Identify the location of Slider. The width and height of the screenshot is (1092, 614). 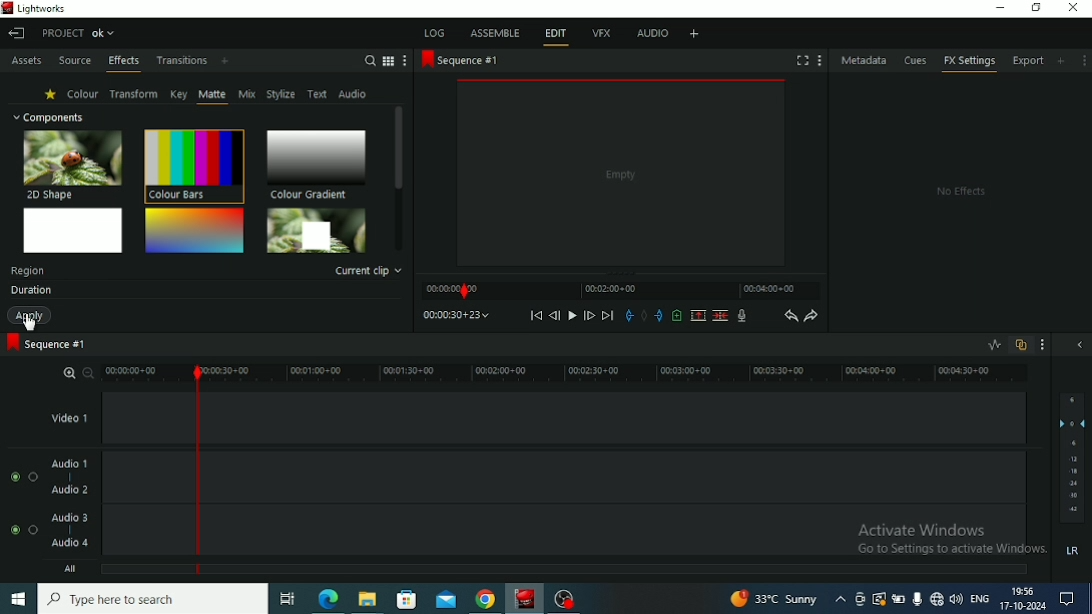
(141, 373).